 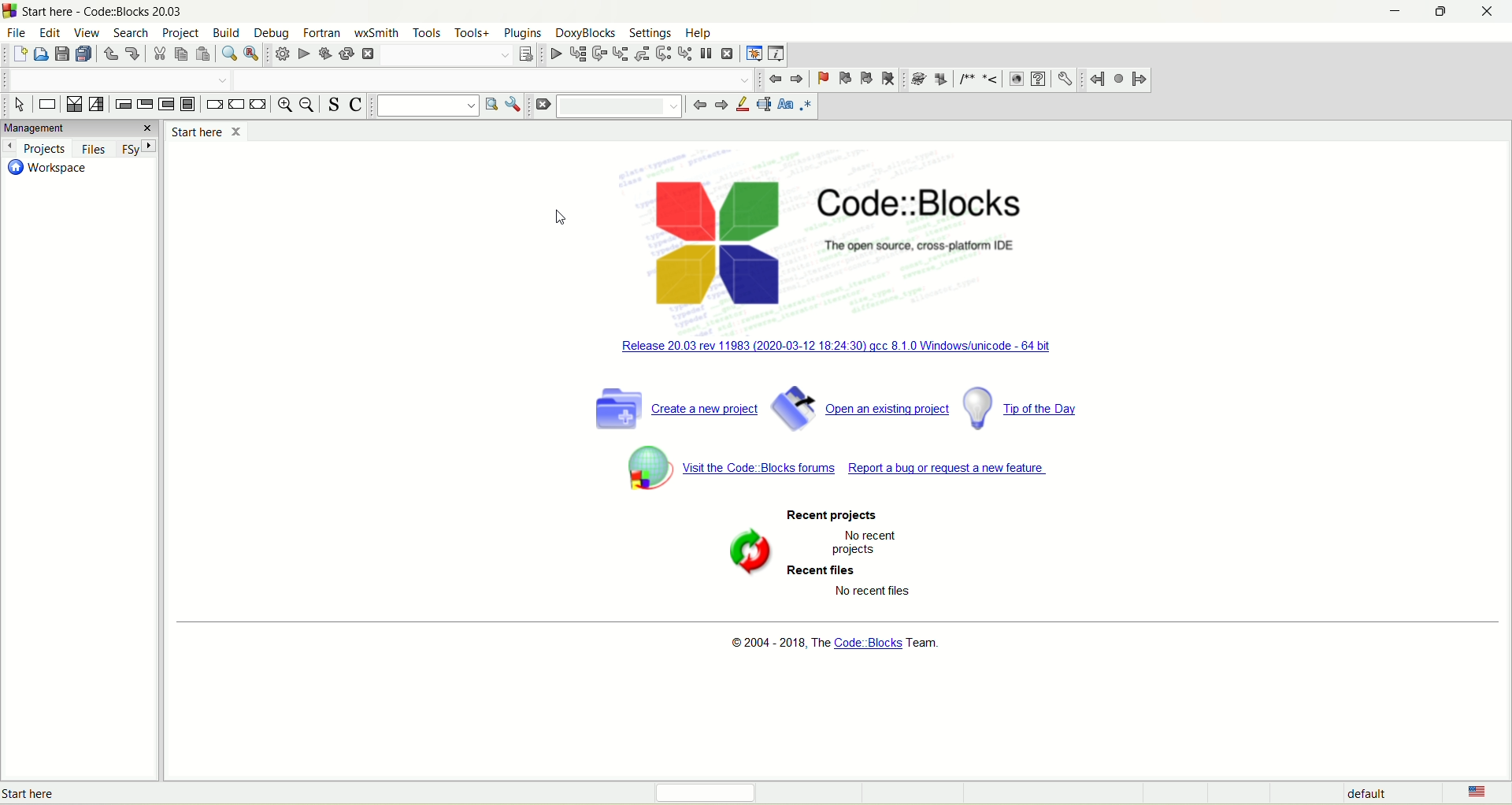 What do you see at coordinates (618, 53) in the screenshot?
I see `step into` at bounding box center [618, 53].